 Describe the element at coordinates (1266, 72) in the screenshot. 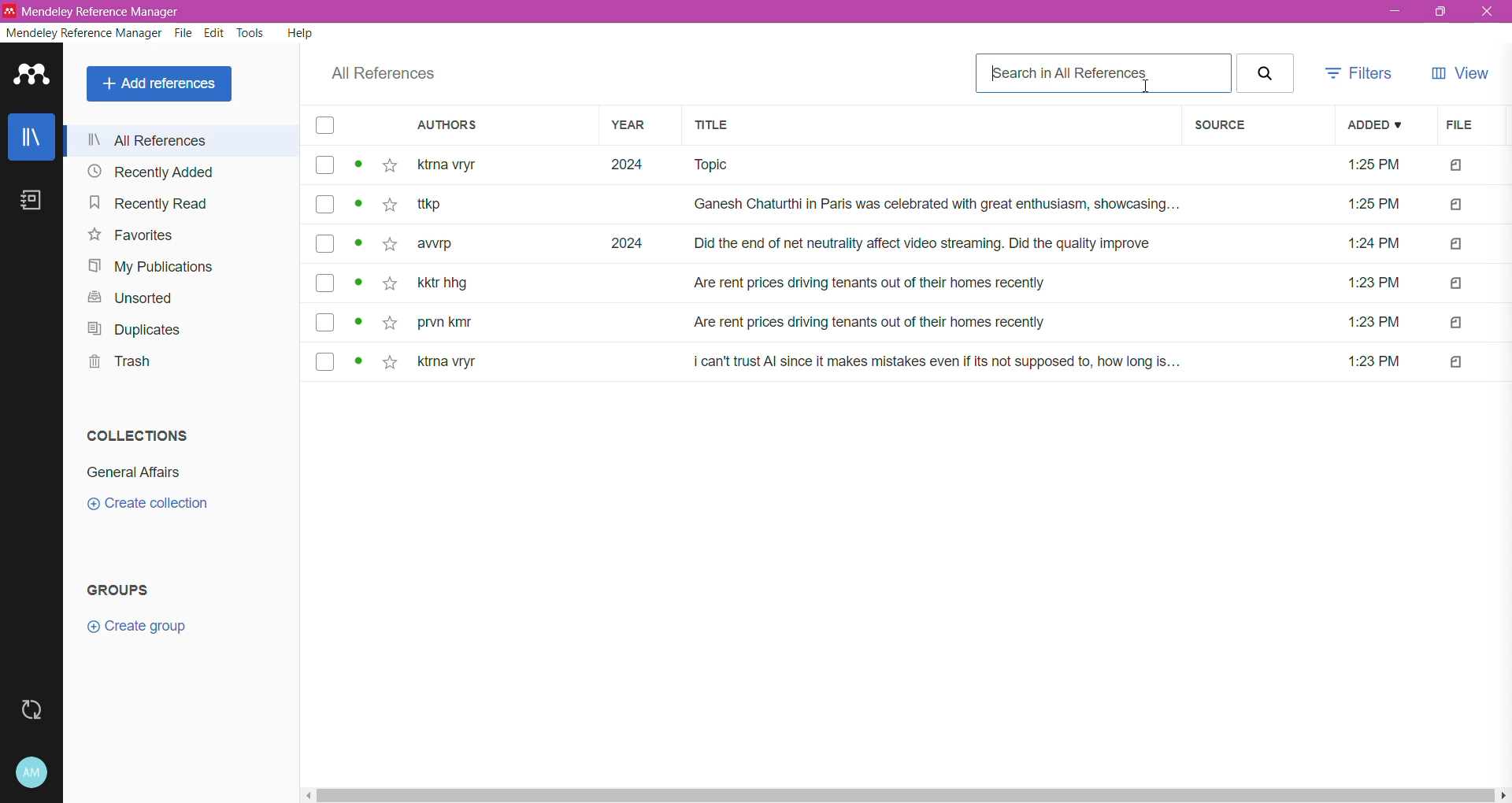

I see `search` at that location.